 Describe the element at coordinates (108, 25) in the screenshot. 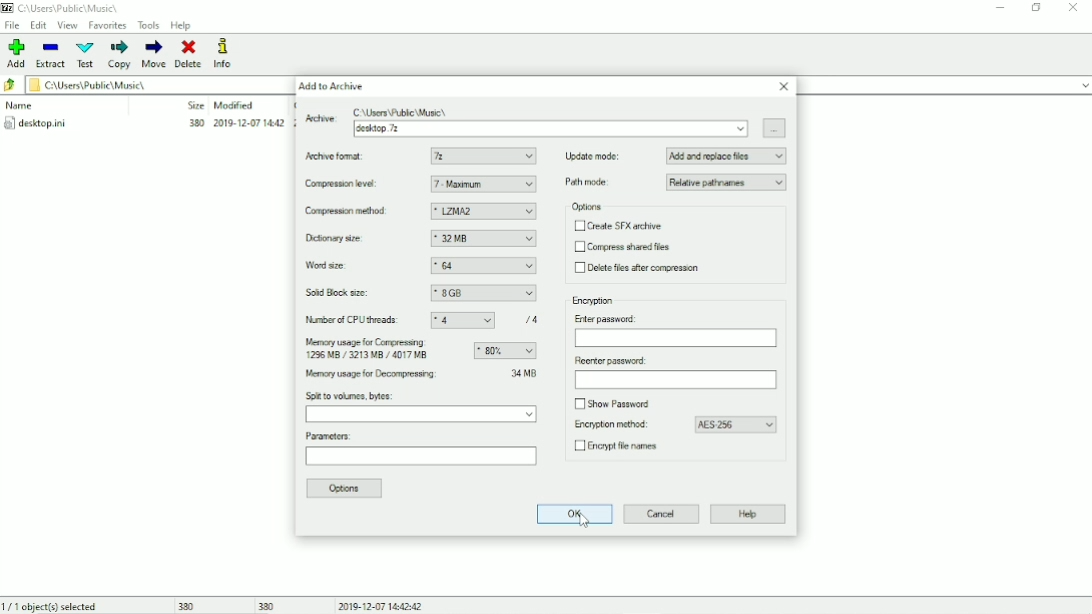

I see `Favorites` at that location.